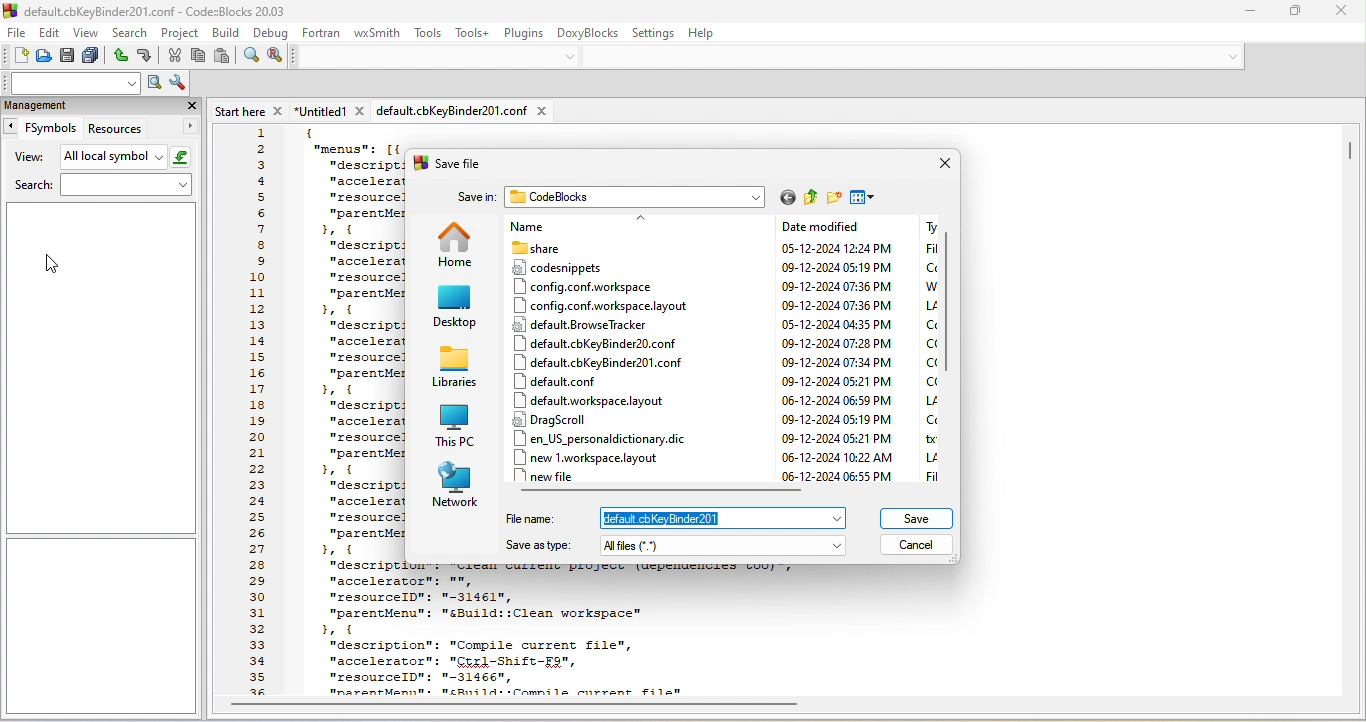 The width and height of the screenshot is (1366, 722). What do you see at coordinates (1234, 58) in the screenshot?
I see `down` at bounding box center [1234, 58].